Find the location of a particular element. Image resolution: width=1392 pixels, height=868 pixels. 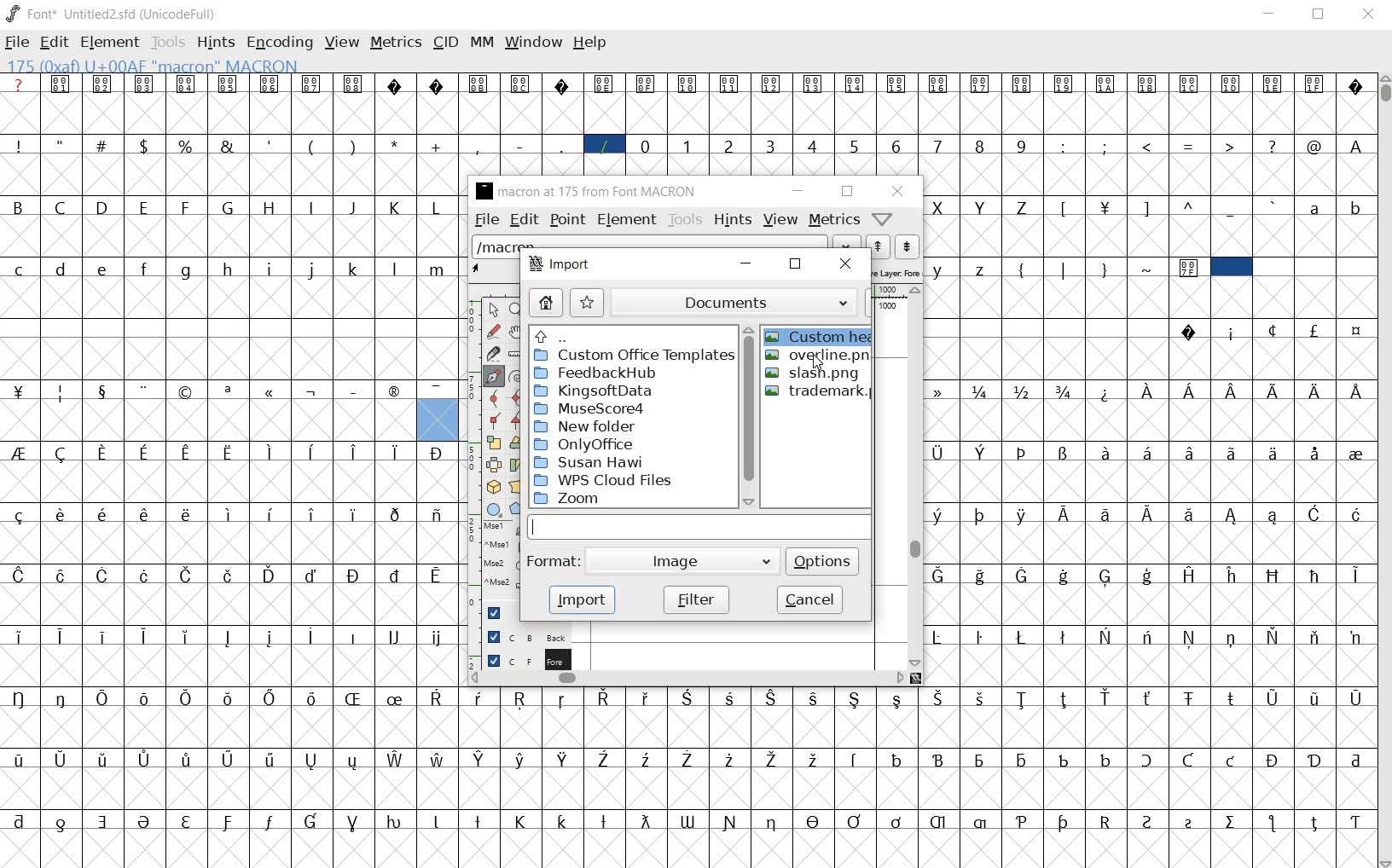

Symbol is located at coordinates (148, 390).